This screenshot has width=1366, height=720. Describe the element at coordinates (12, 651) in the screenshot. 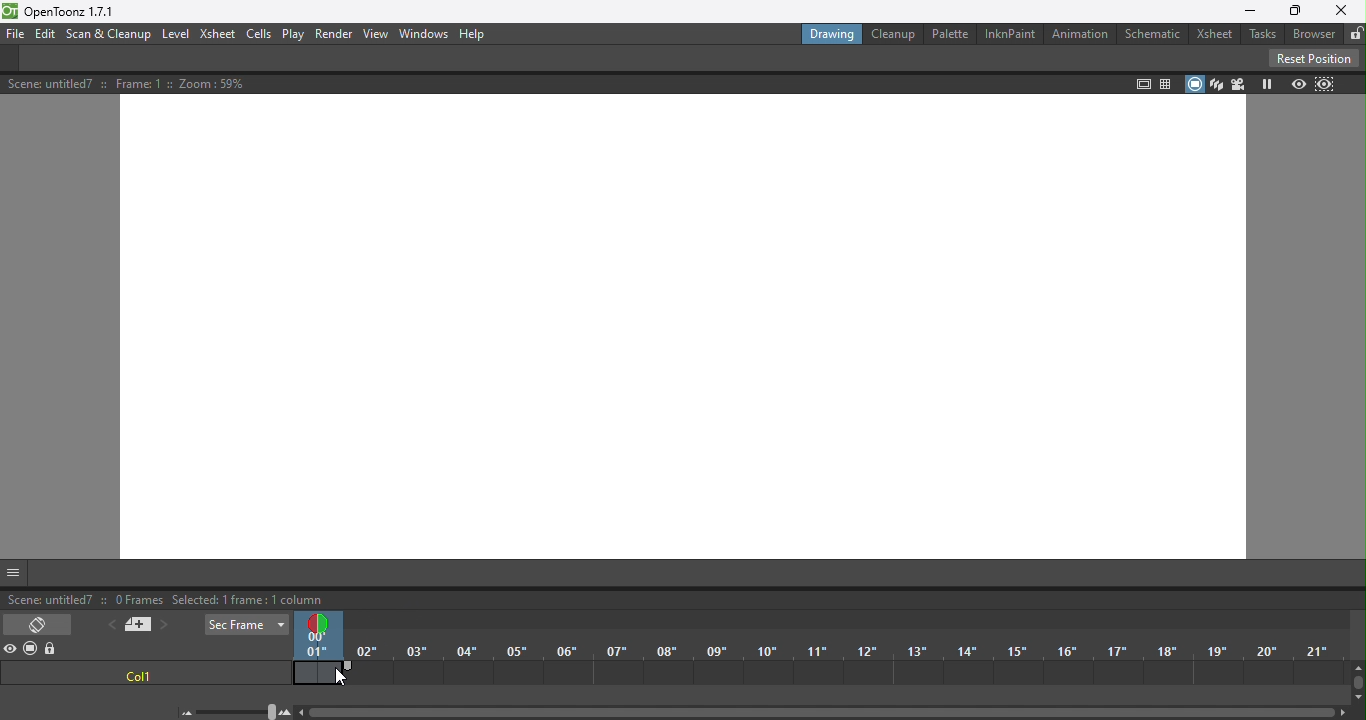

I see `Preview visibility toggle all` at that location.